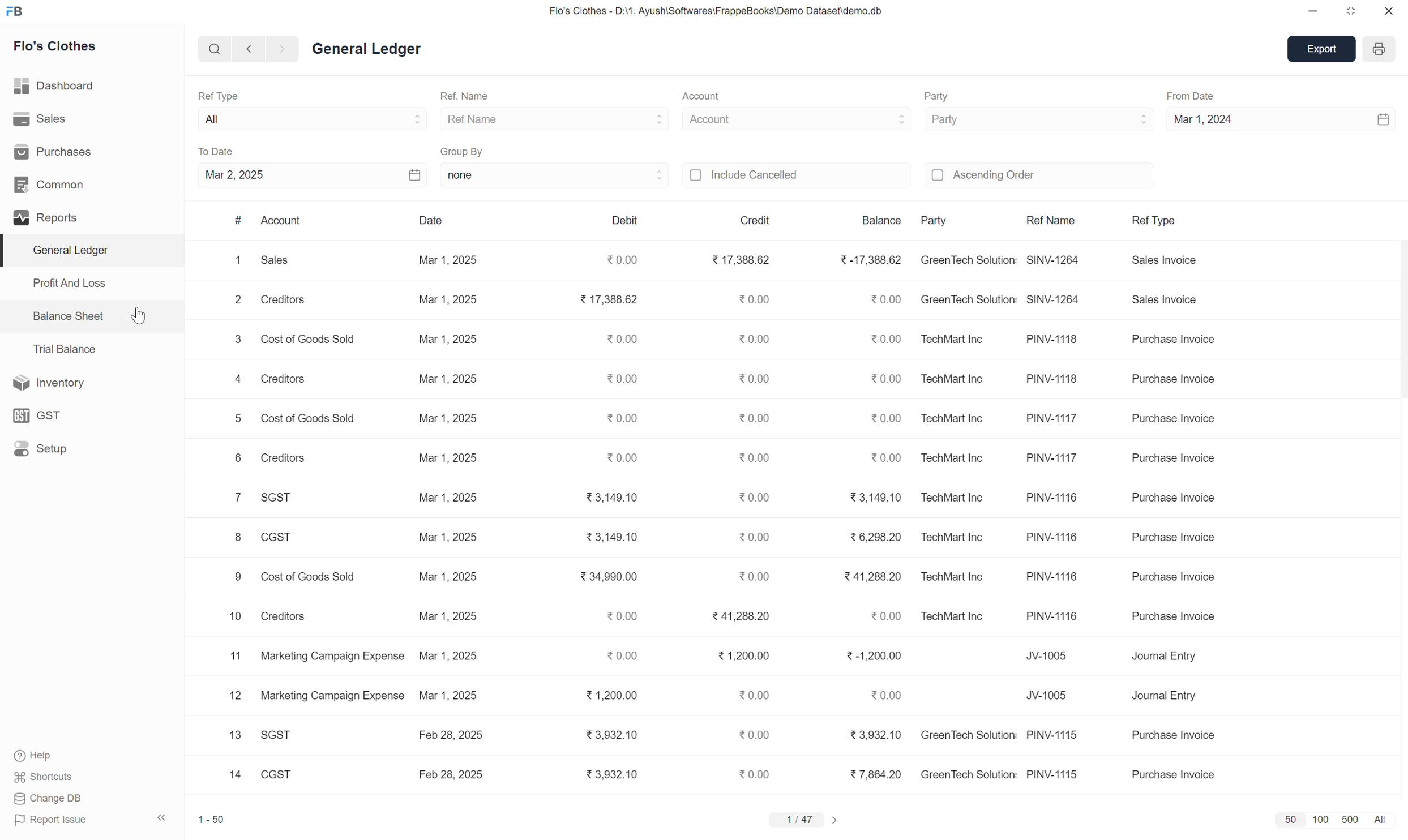 The width and height of the screenshot is (1408, 840). Describe the element at coordinates (556, 119) in the screenshot. I see `Ref Name ` at that location.